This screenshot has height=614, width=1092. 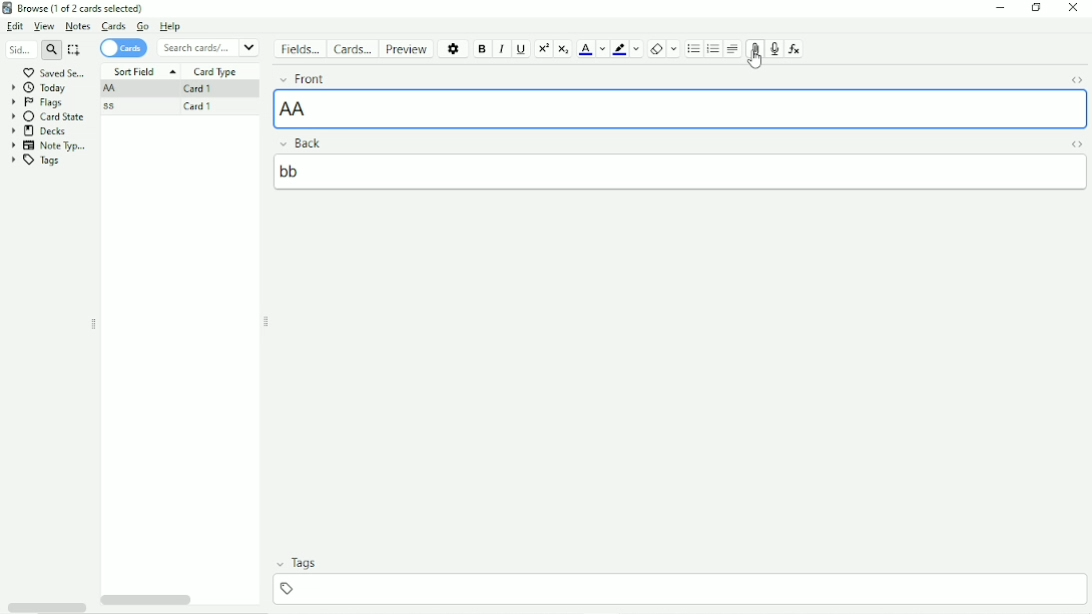 I want to click on Search , so click(x=208, y=48).